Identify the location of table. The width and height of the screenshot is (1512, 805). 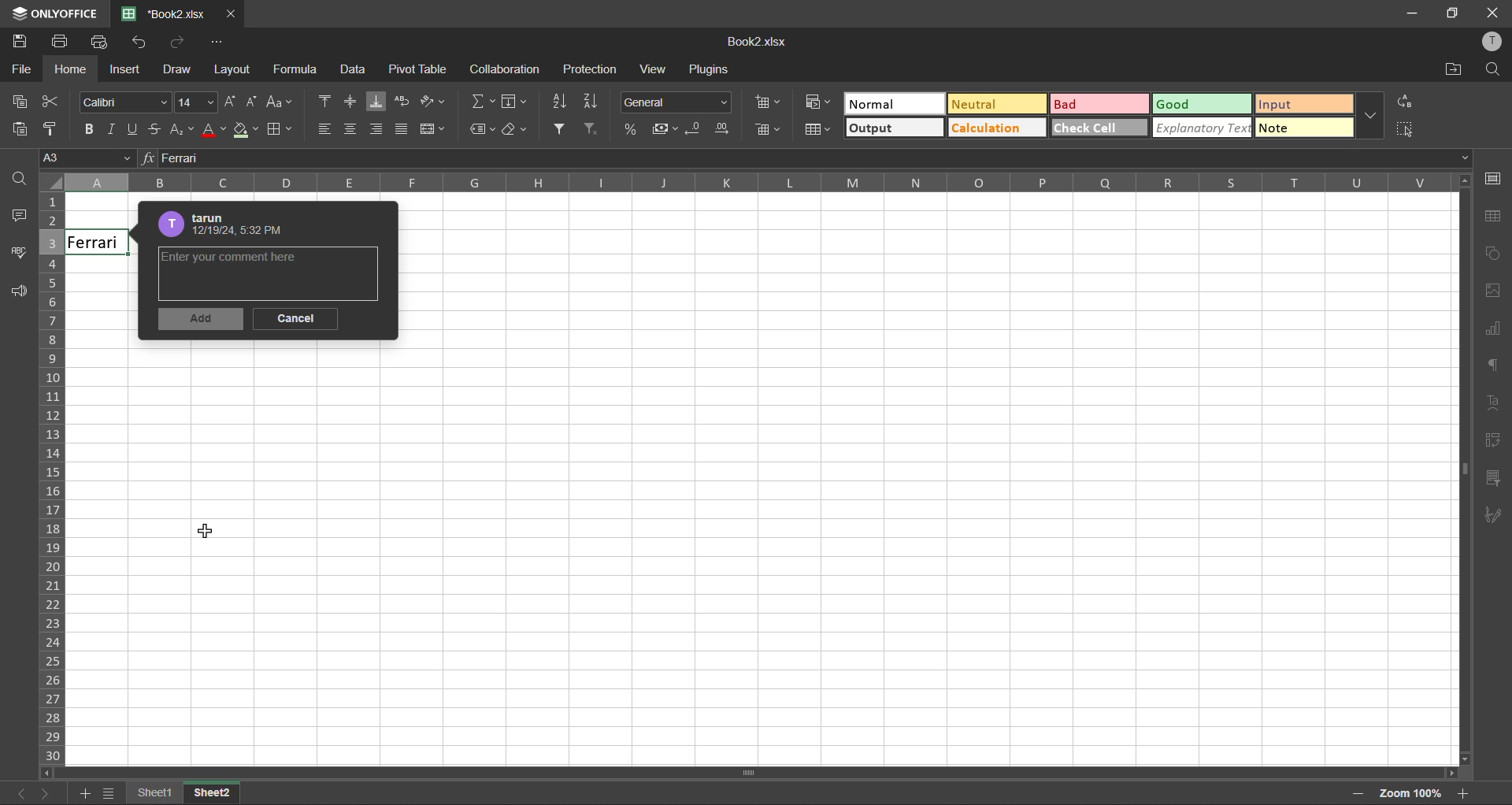
(1495, 221).